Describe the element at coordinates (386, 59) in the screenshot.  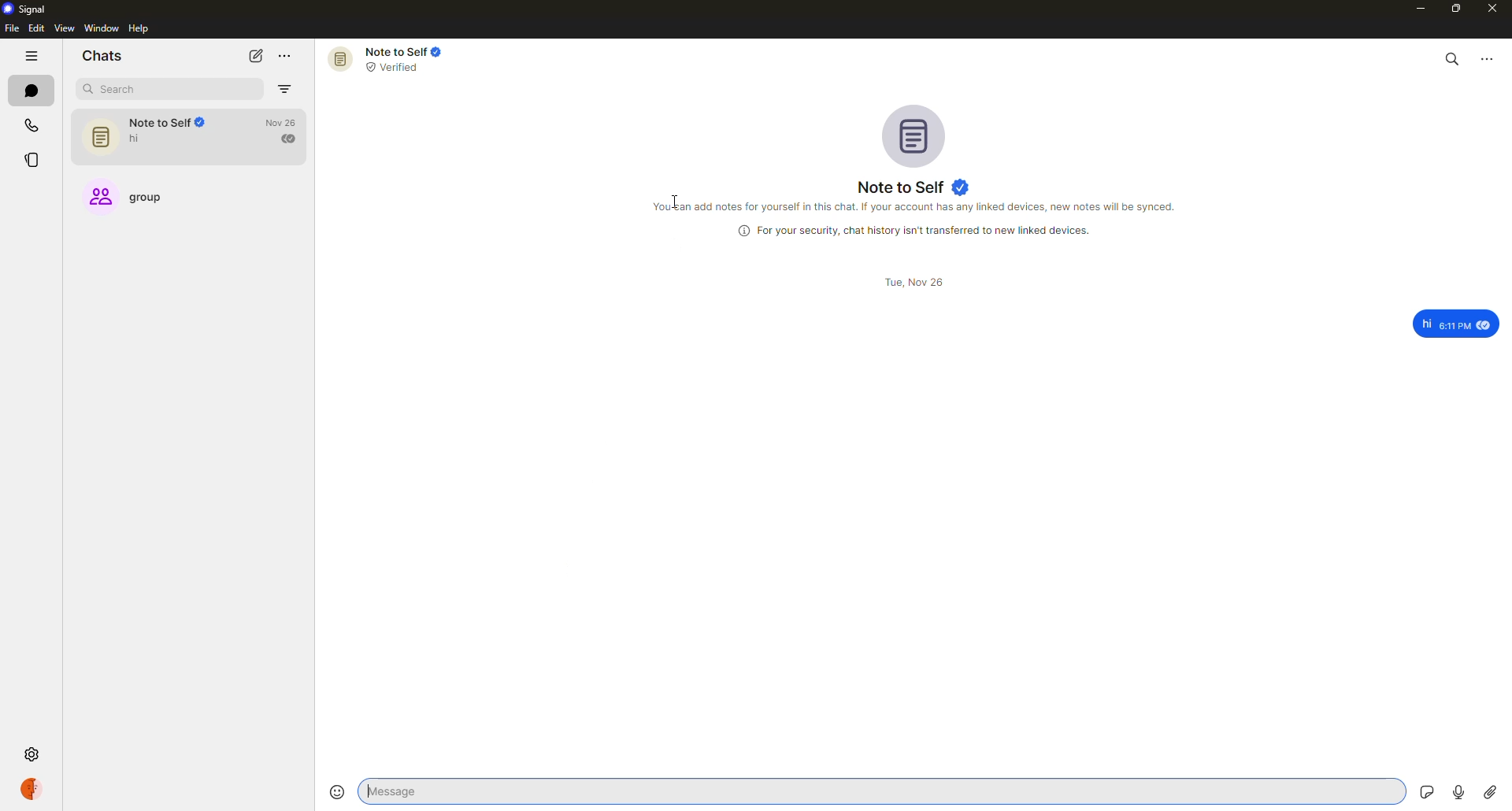
I see `note to self` at that location.